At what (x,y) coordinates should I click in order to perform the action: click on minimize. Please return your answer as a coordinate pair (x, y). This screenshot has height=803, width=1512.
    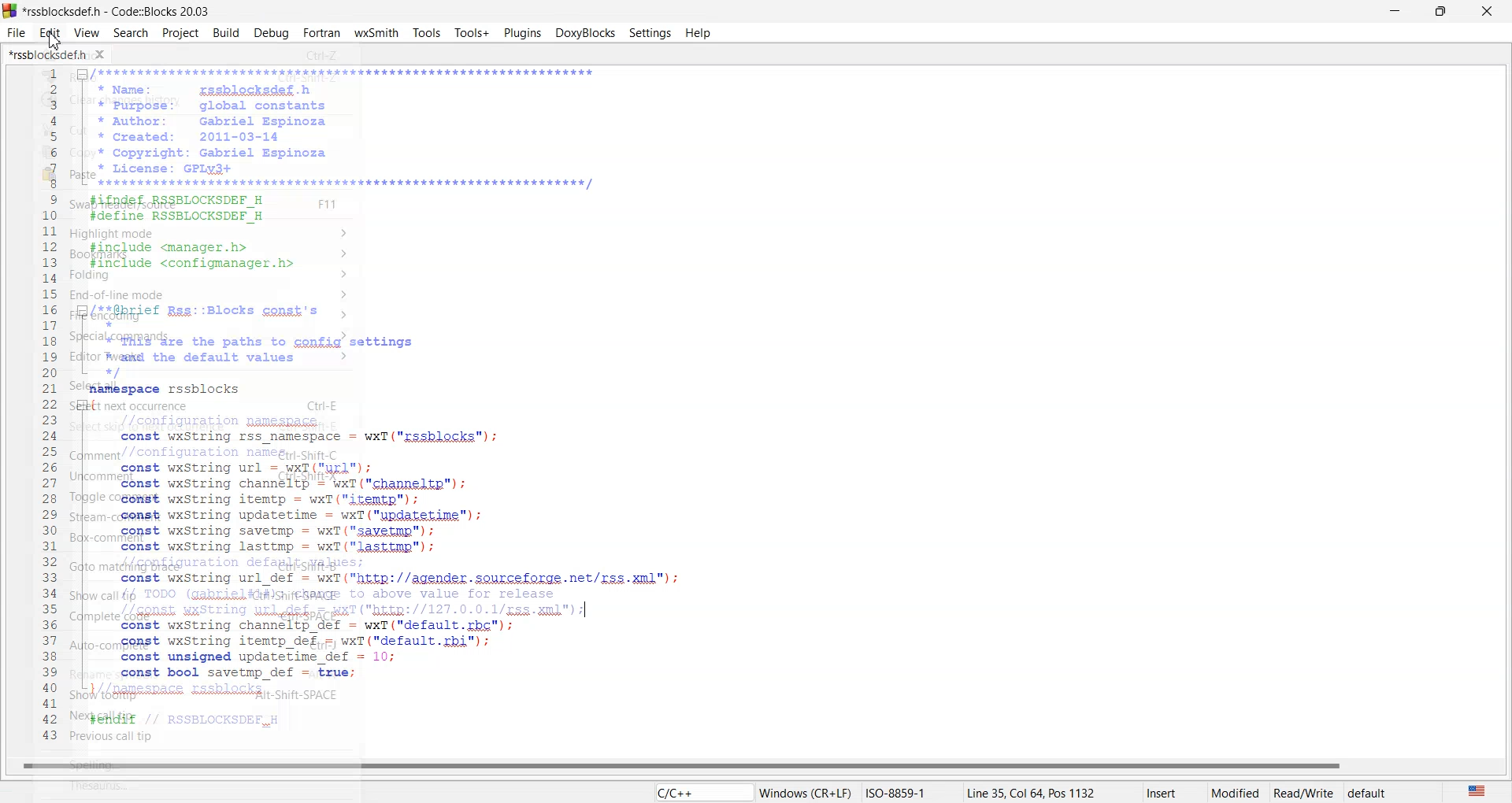
    Looking at the image, I should click on (84, 309).